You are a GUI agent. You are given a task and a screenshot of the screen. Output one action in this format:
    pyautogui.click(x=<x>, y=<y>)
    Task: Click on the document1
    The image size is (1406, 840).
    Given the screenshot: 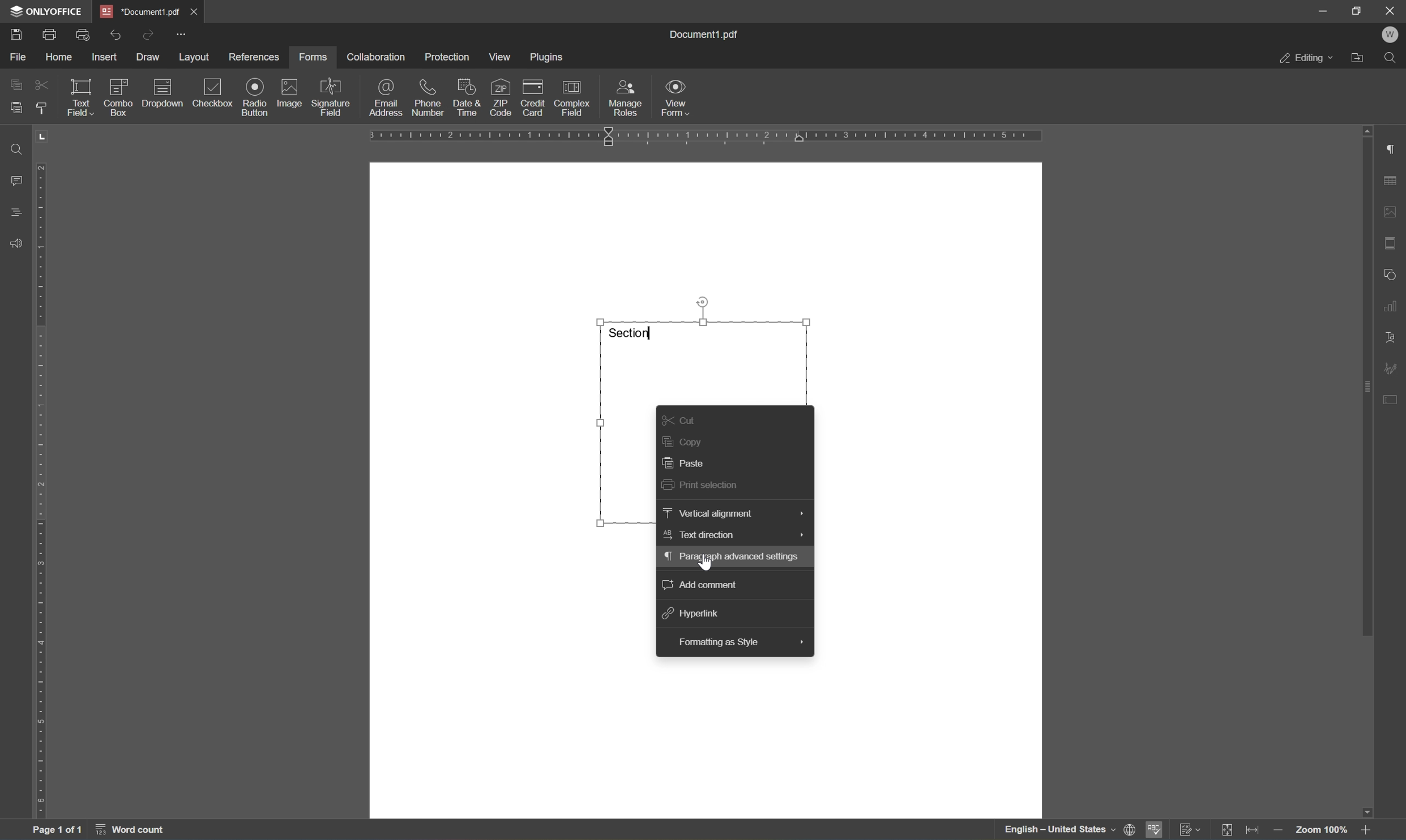 What is the action you would take?
    pyautogui.click(x=142, y=12)
    